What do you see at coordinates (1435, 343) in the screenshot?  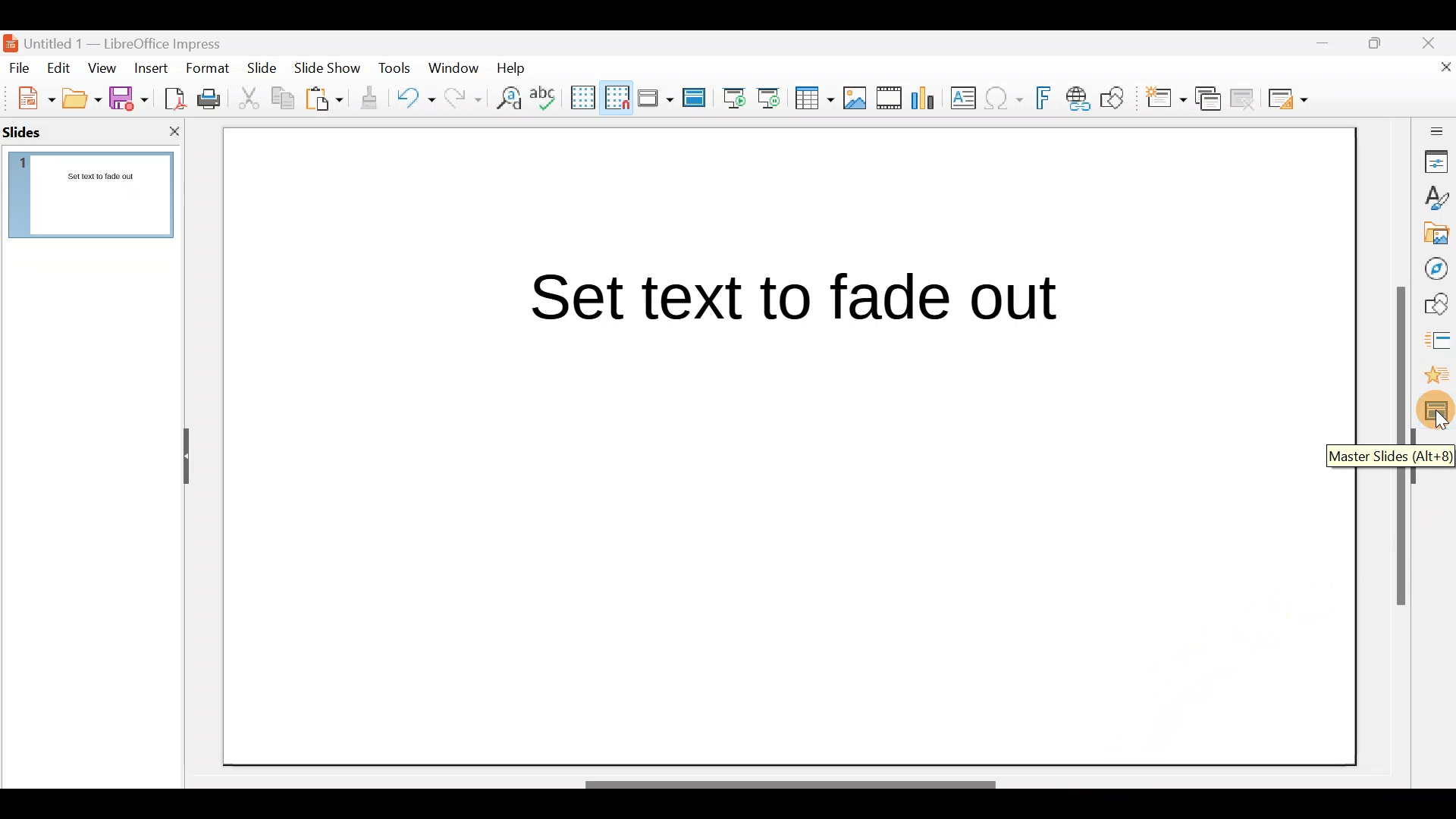 I see `Slide transition` at bounding box center [1435, 343].